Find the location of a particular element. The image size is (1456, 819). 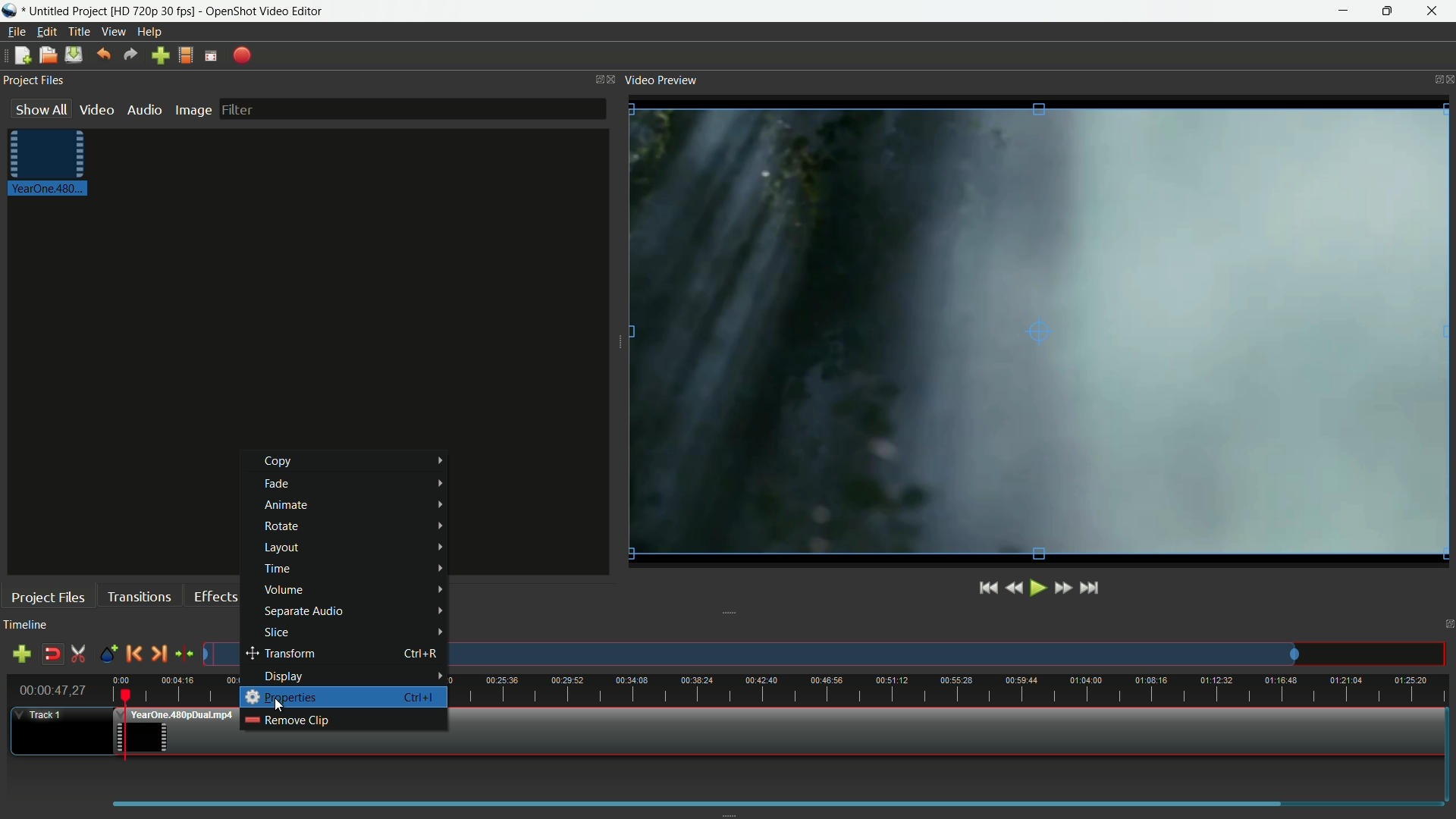

tracks preview is located at coordinates (886, 655).